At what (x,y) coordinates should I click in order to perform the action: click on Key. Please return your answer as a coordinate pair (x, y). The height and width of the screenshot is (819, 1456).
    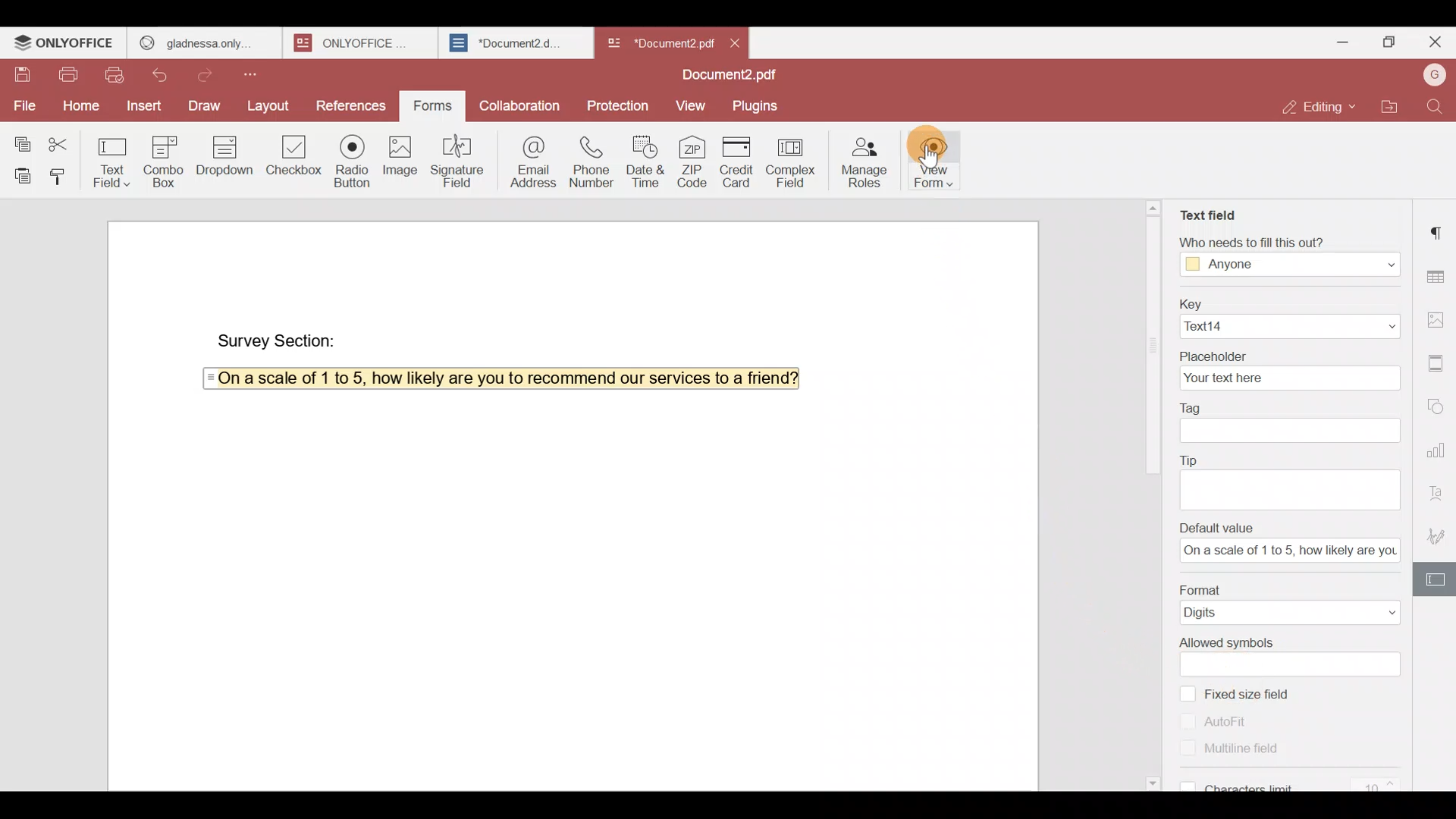
    Looking at the image, I should click on (1284, 301).